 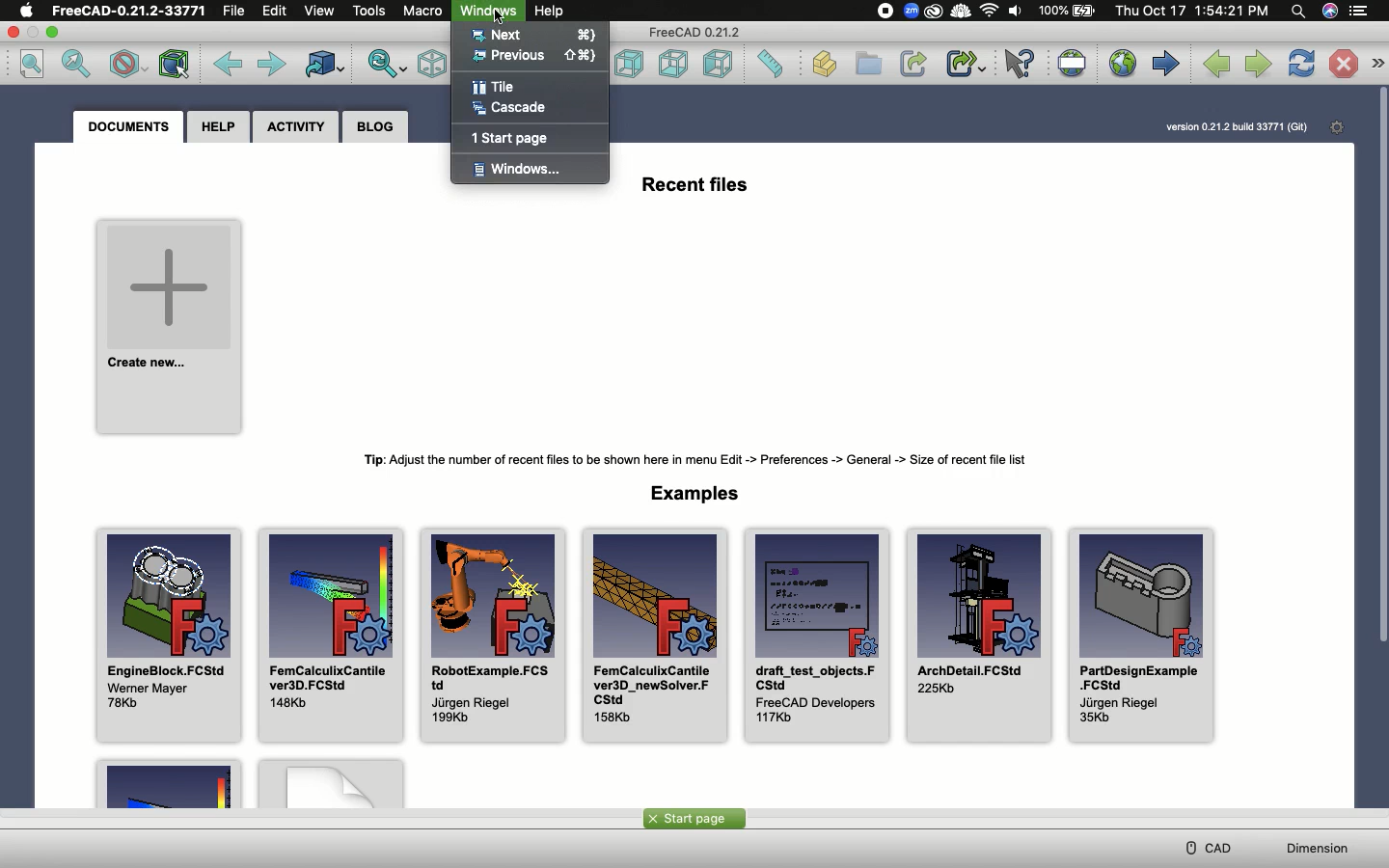 What do you see at coordinates (127, 64) in the screenshot?
I see `Draw style` at bounding box center [127, 64].